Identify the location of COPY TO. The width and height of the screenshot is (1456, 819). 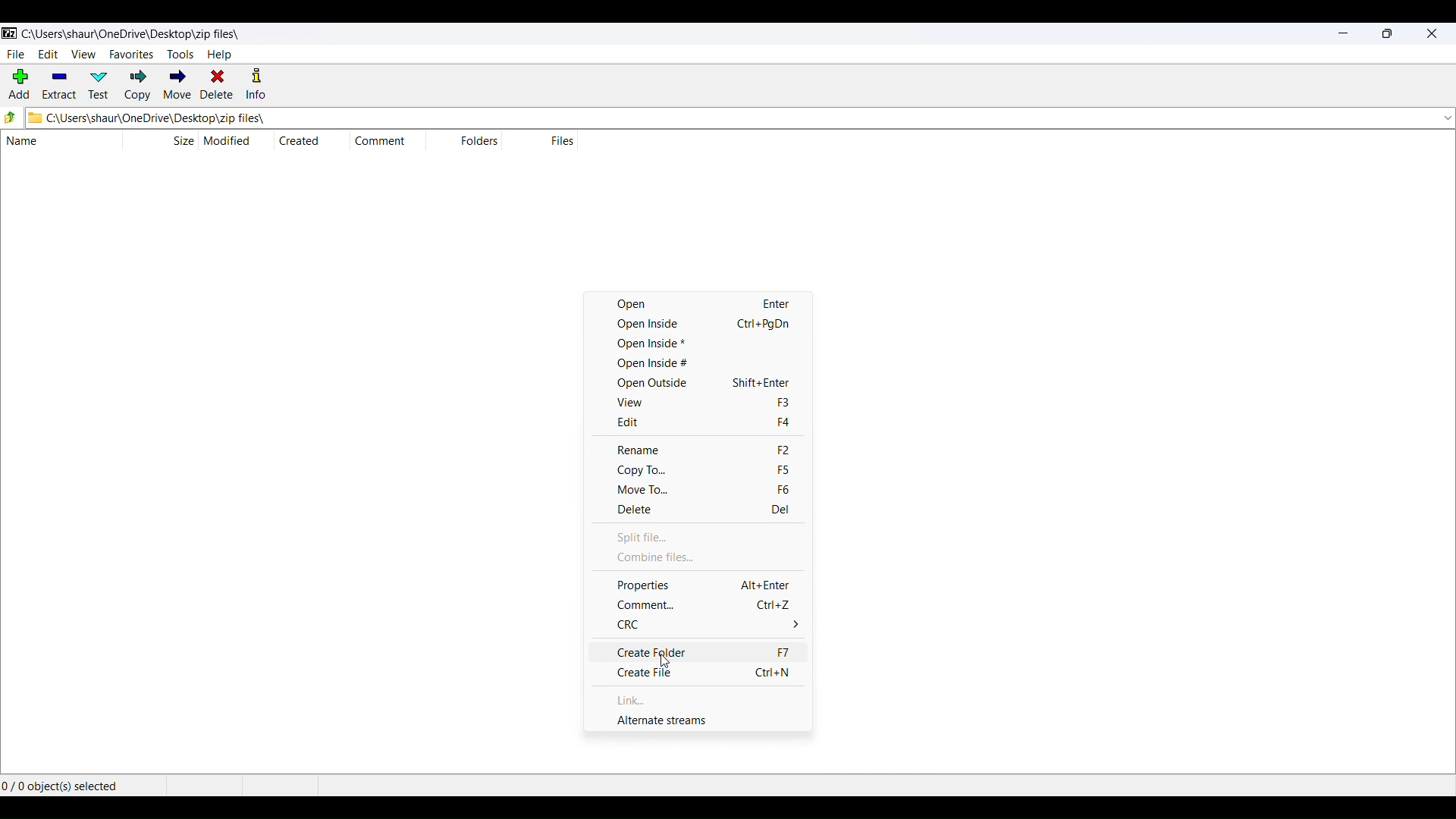
(717, 471).